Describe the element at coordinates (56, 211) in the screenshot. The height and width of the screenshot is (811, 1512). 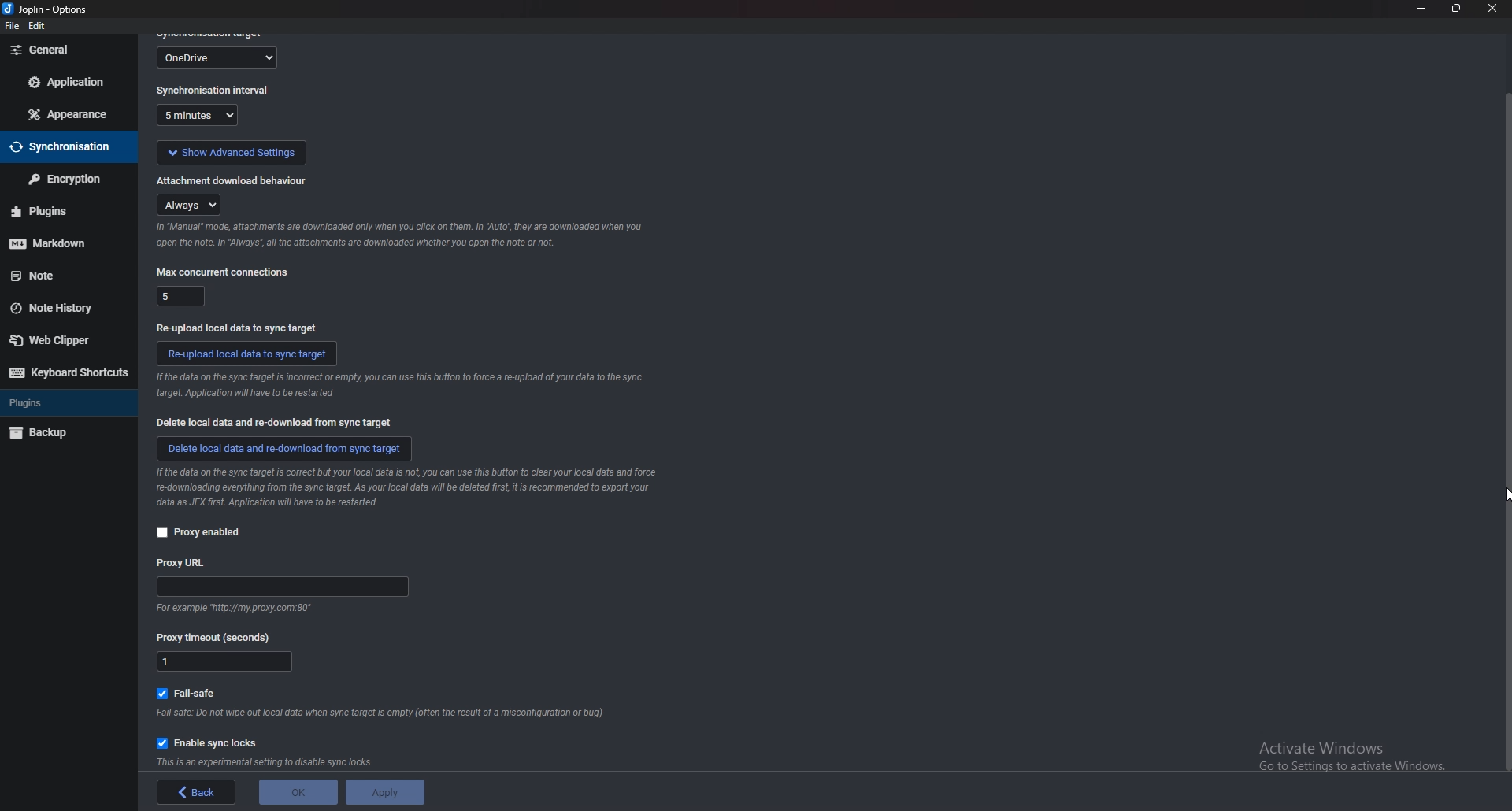
I see `plugins` at that location.